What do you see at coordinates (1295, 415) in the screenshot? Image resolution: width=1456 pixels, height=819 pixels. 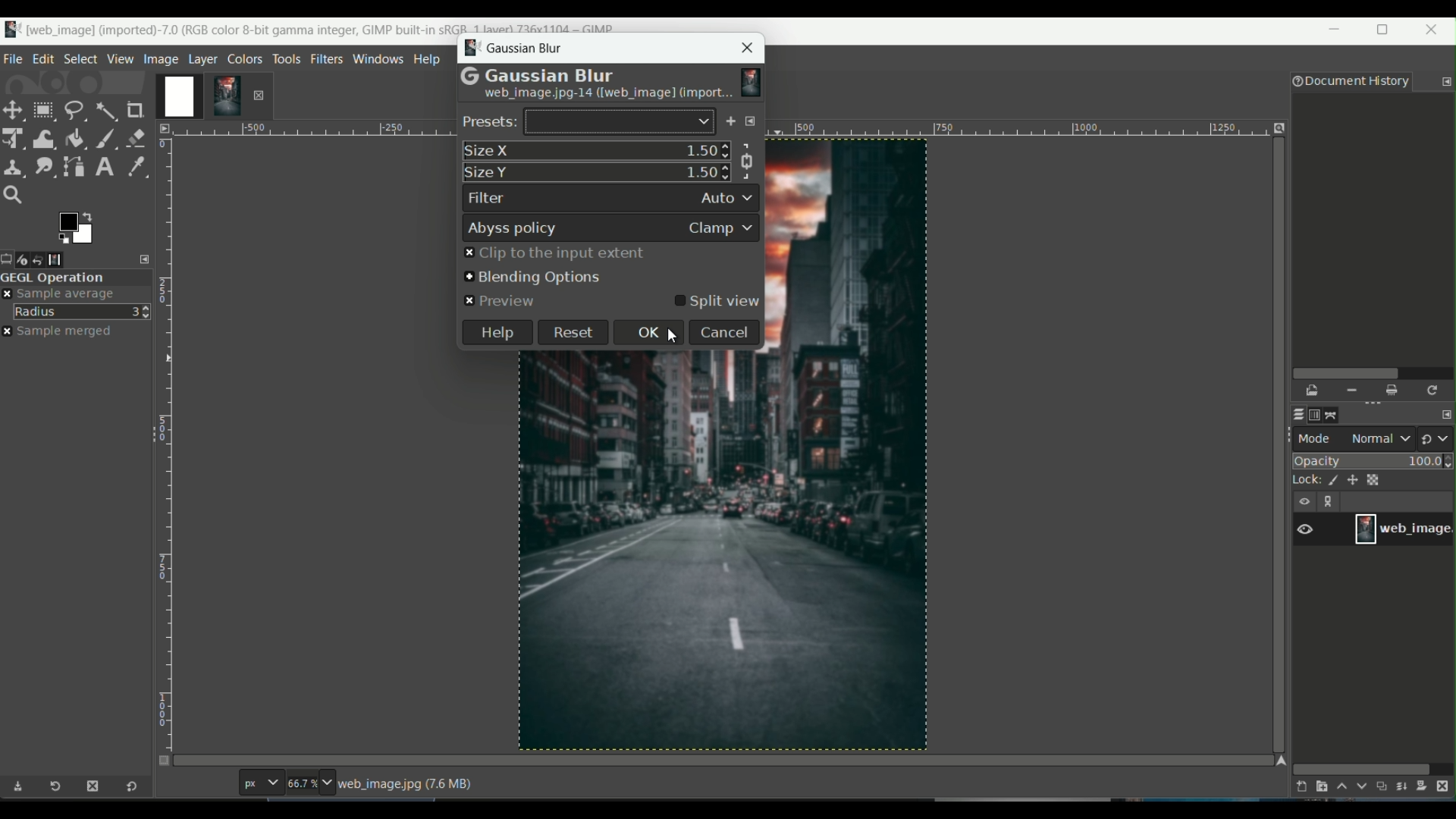 I see `layers` at bounding box center [1295, 415].